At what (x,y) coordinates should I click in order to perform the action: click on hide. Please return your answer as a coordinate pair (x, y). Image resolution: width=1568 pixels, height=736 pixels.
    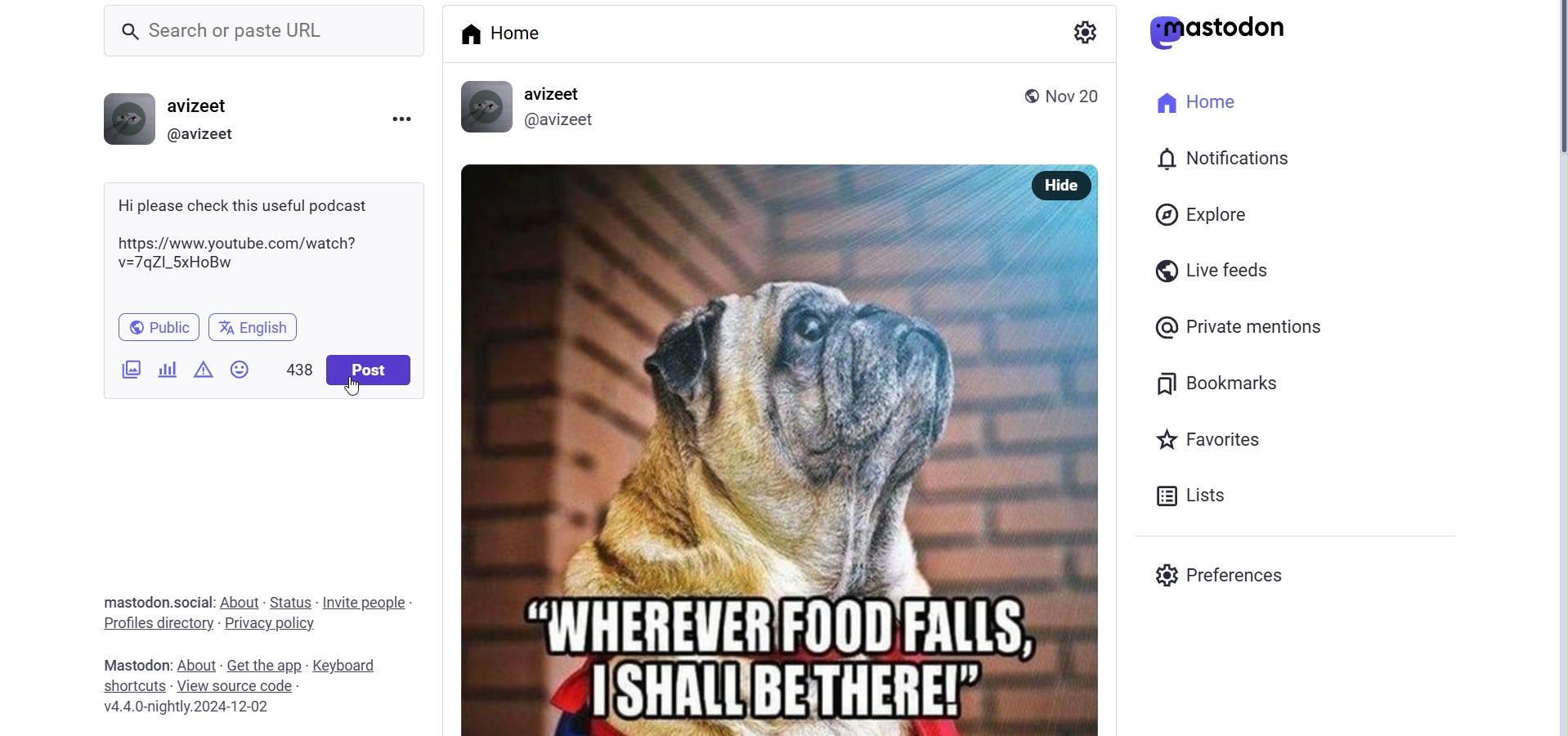
    Looking at the image, I should click on (1064, 186).